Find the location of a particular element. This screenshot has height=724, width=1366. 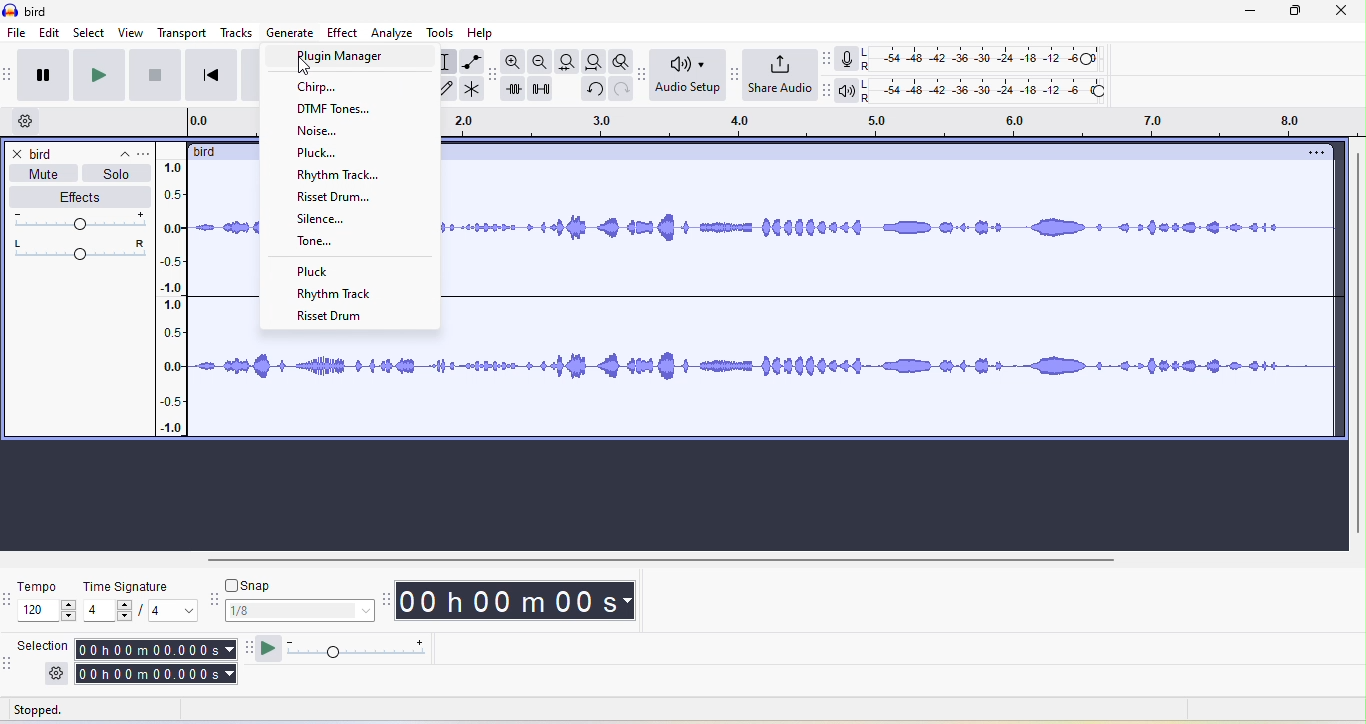

draw tool is located at coordinates (451, 88).